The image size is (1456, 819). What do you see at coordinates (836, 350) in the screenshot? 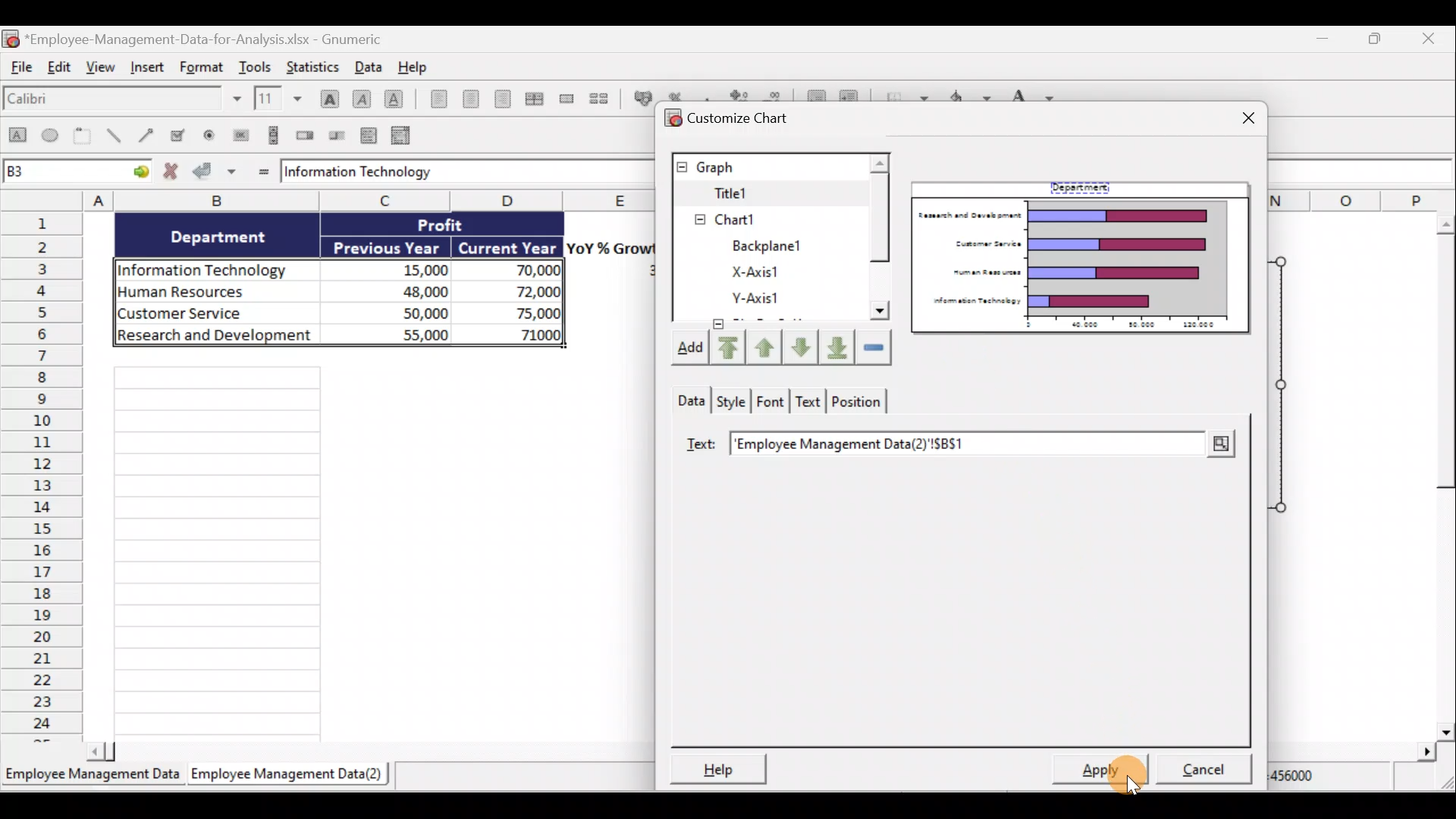
I see `Move downward` at bounding box center [836, 350].